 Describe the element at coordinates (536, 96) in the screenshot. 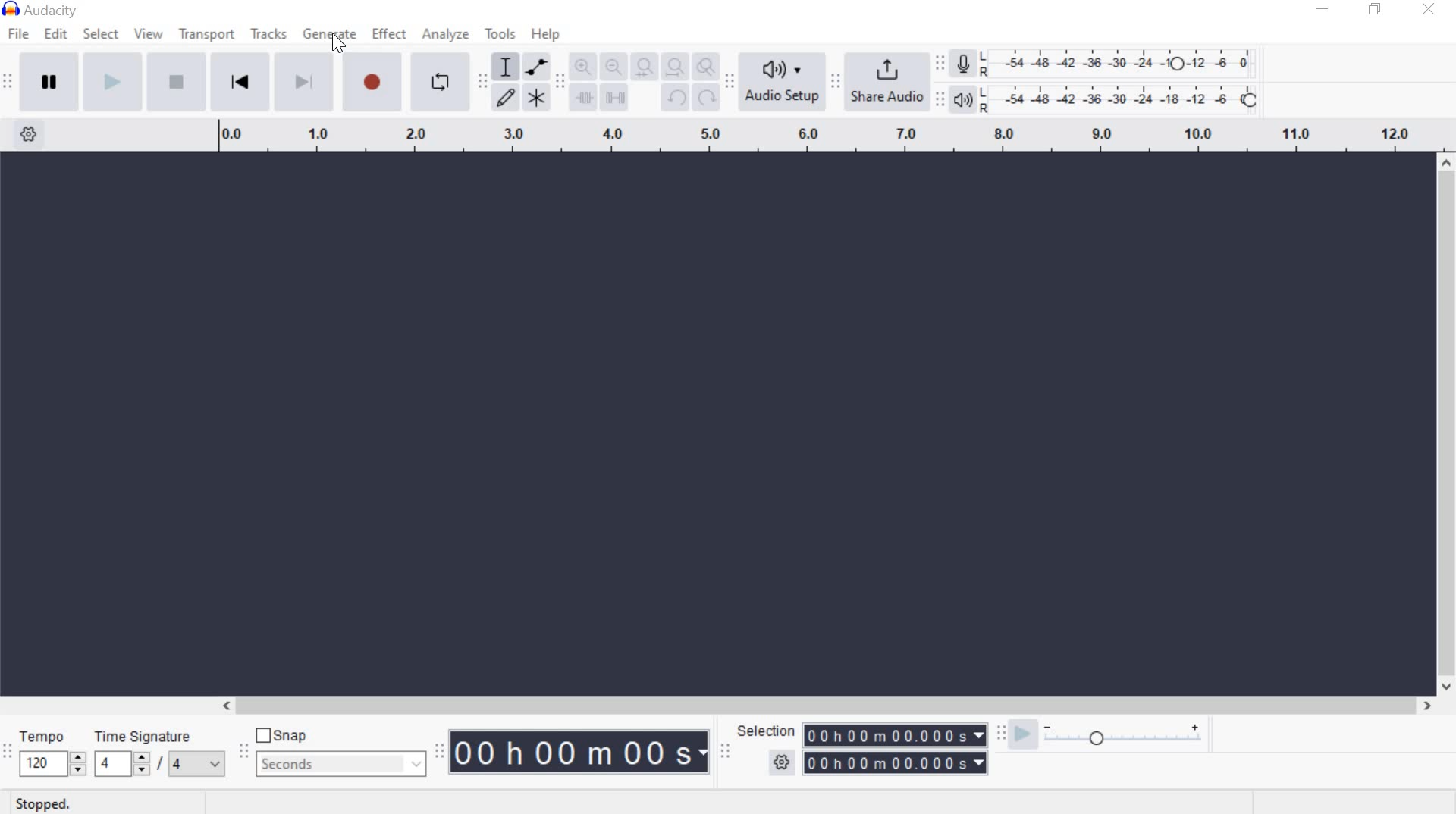

I see `Multi-Tool` at that location.